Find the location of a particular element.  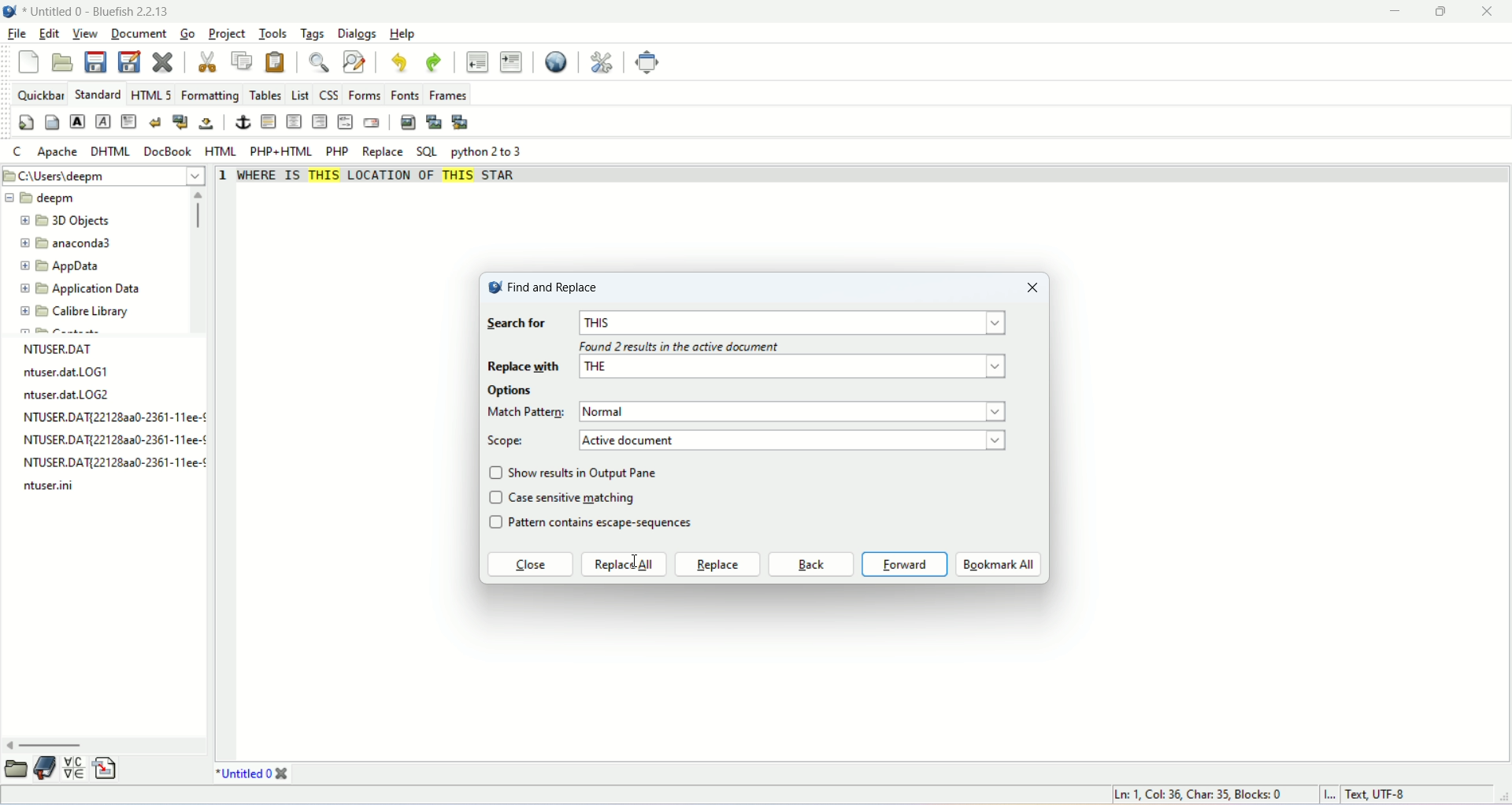

HTML is located at coordinates (223, 151).